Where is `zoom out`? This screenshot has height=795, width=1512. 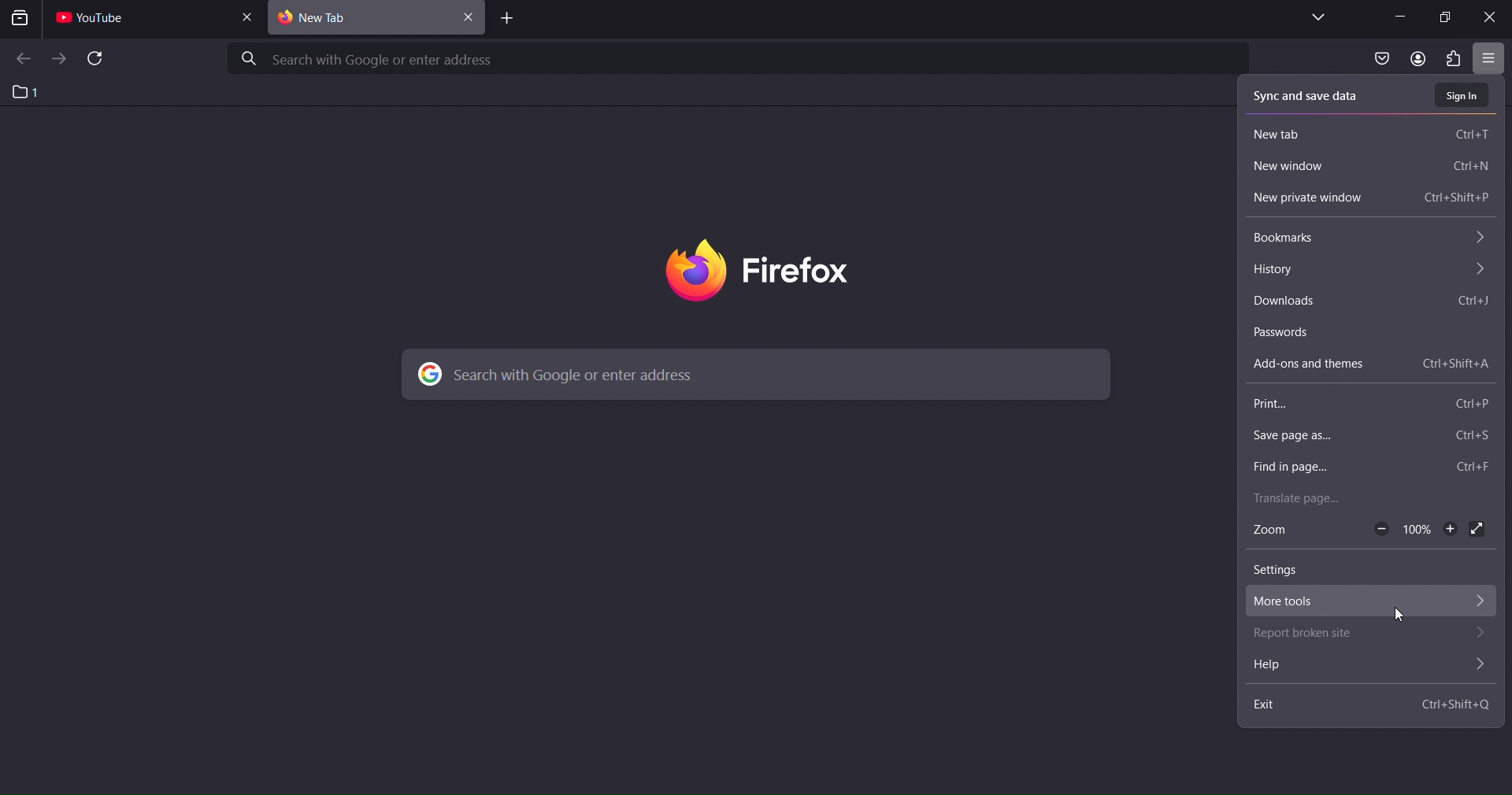
zoom out is located at coordinates (1382, 529).